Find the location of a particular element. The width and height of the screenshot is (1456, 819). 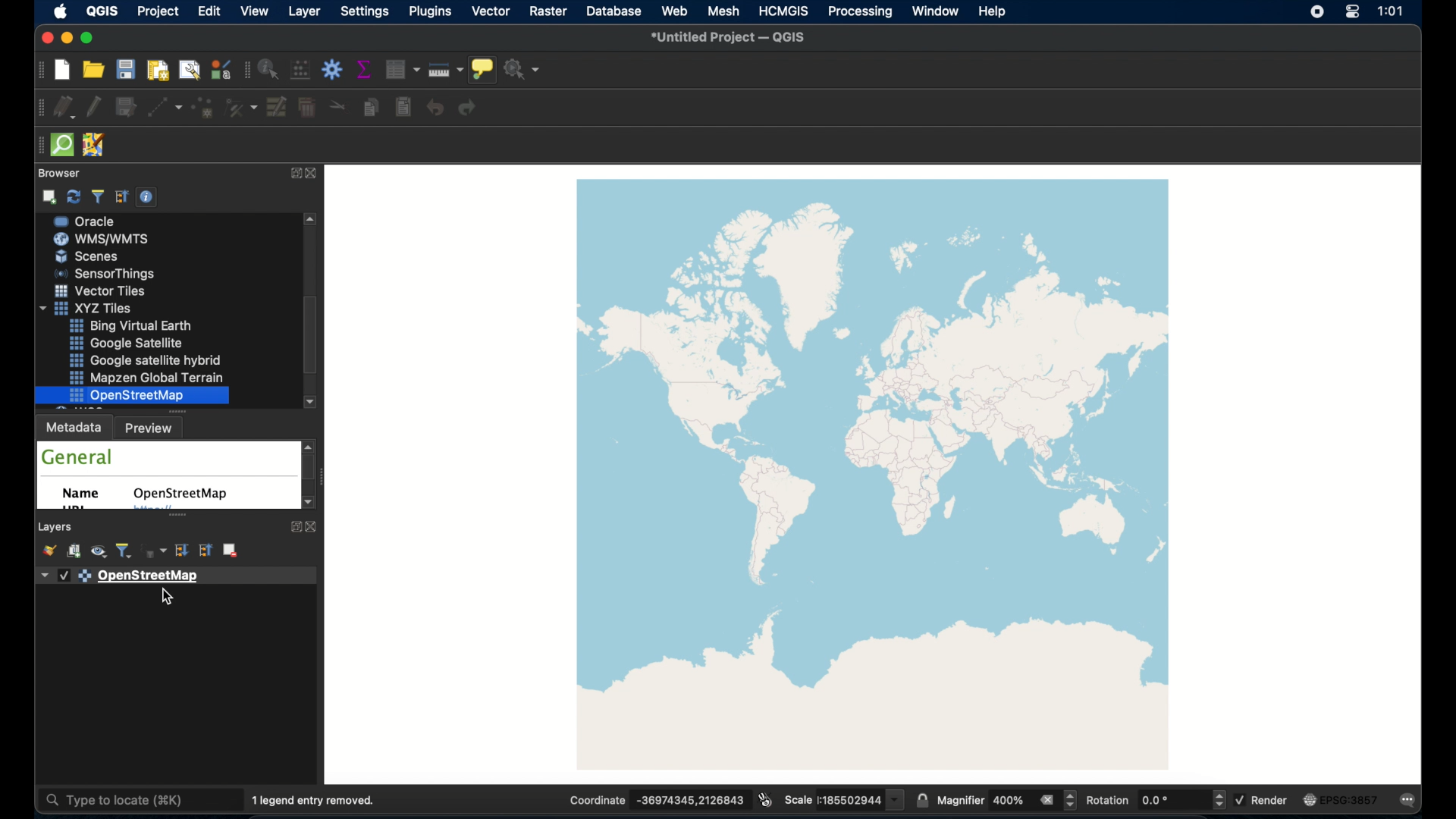

browser is located at coordinates (57, 174).